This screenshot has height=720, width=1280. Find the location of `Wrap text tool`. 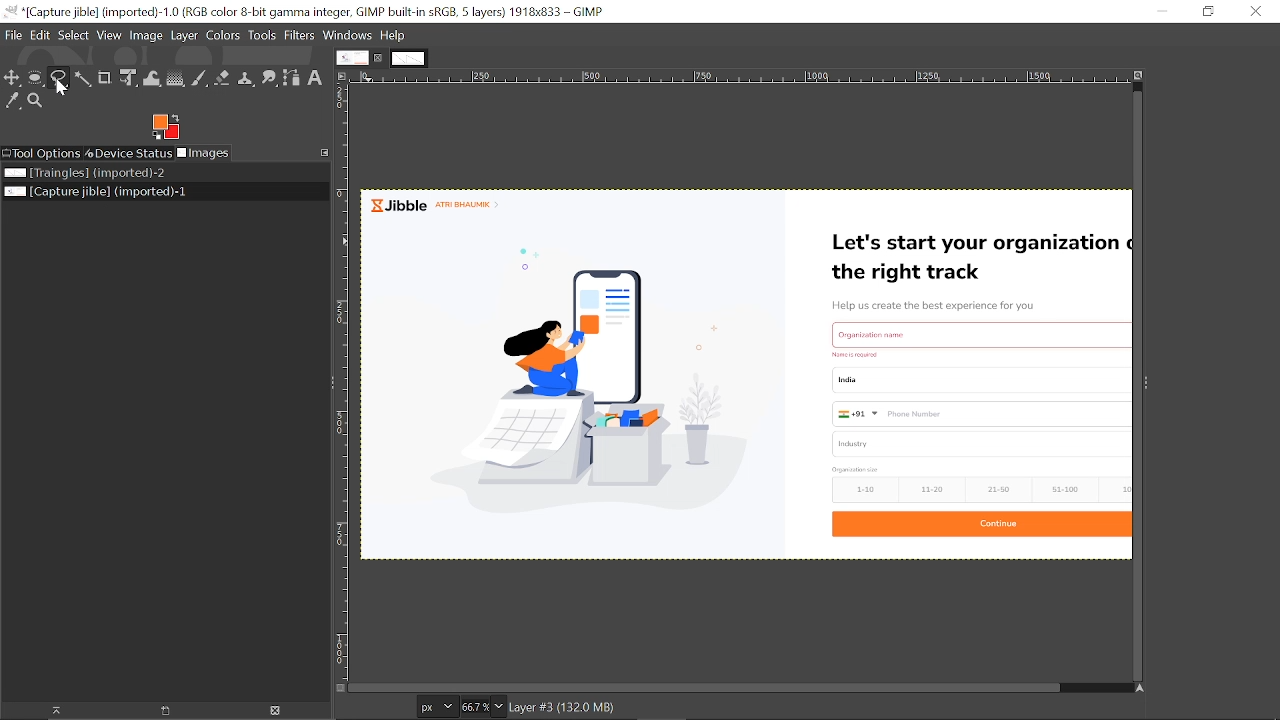

Wrap text tool is located at coordinates (152, 79).